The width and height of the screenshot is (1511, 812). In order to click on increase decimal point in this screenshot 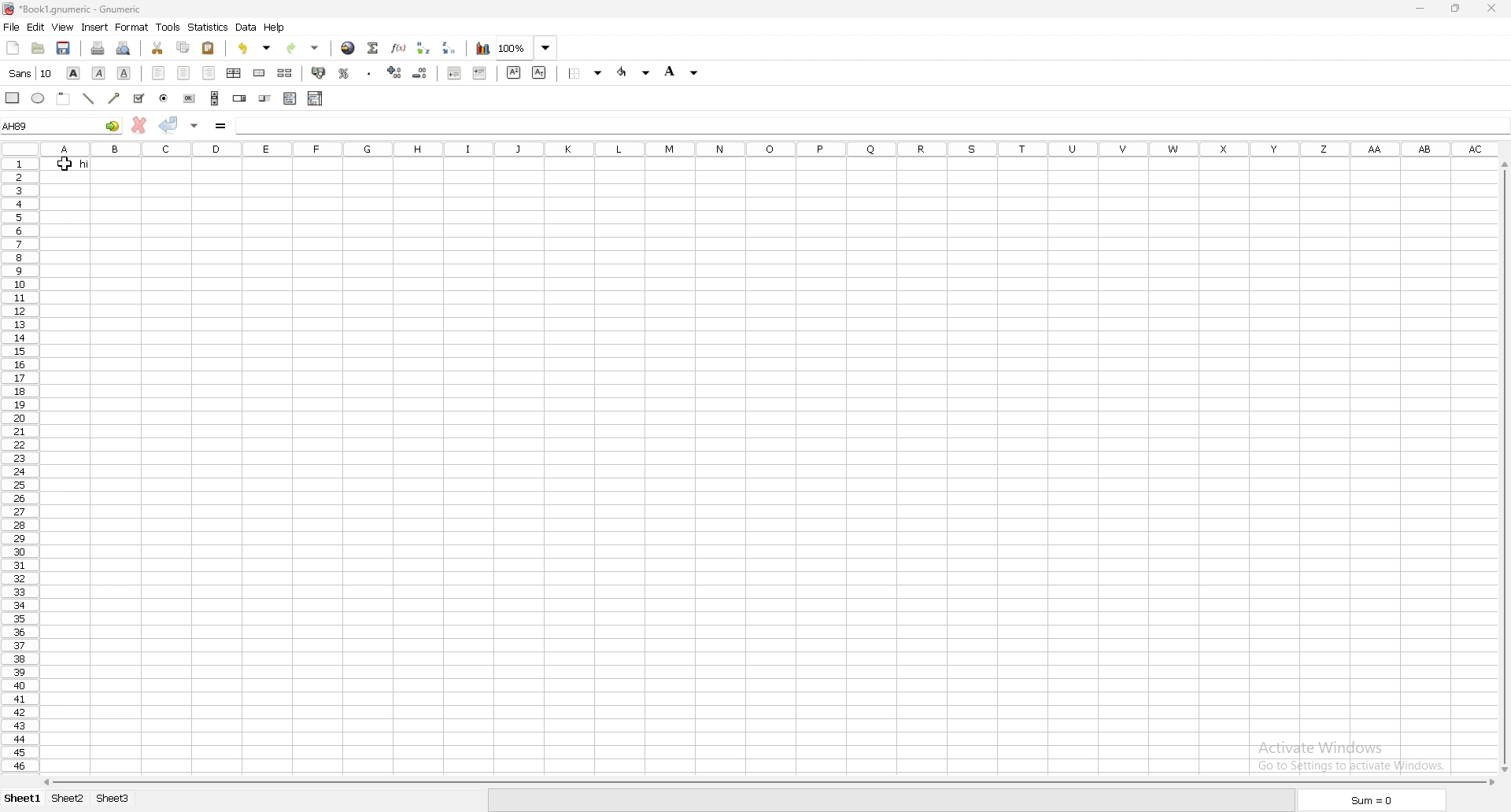, I will do `click(420, 72)`.